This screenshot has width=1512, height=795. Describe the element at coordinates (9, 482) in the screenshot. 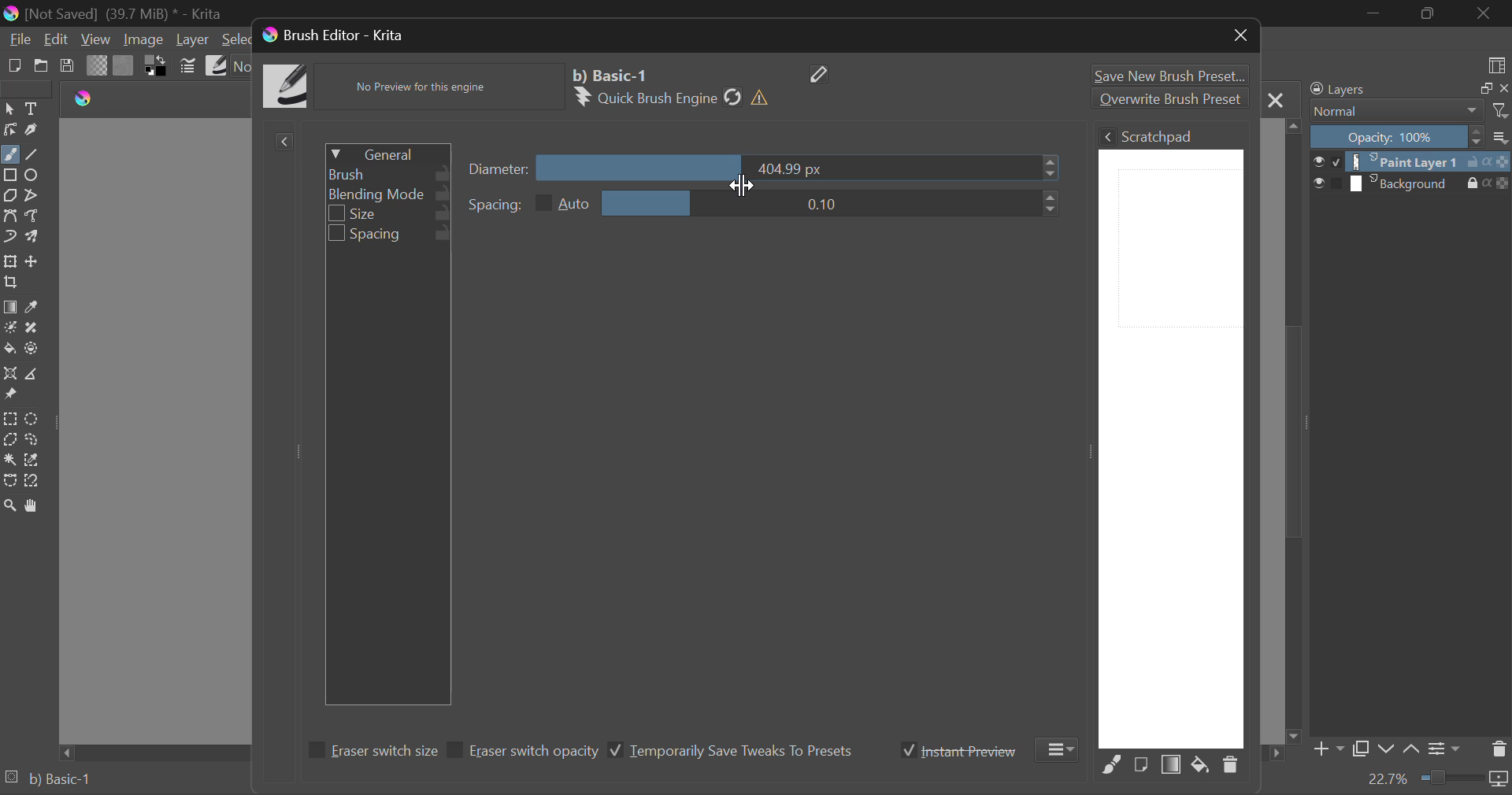

I see `Bezier Curve` at that location.